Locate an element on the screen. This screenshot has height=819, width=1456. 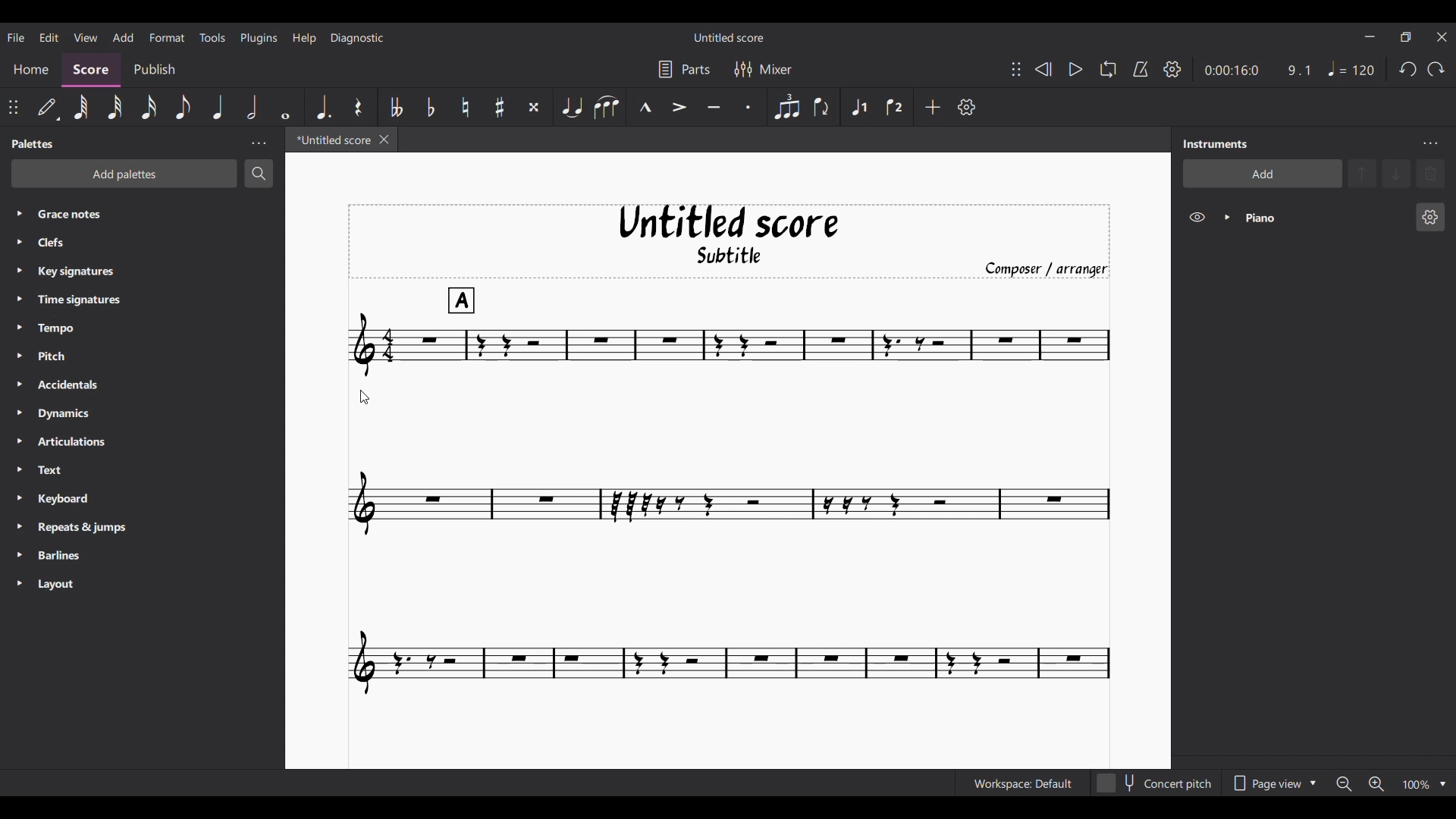
32nd note is located at coordinates (113, 107).